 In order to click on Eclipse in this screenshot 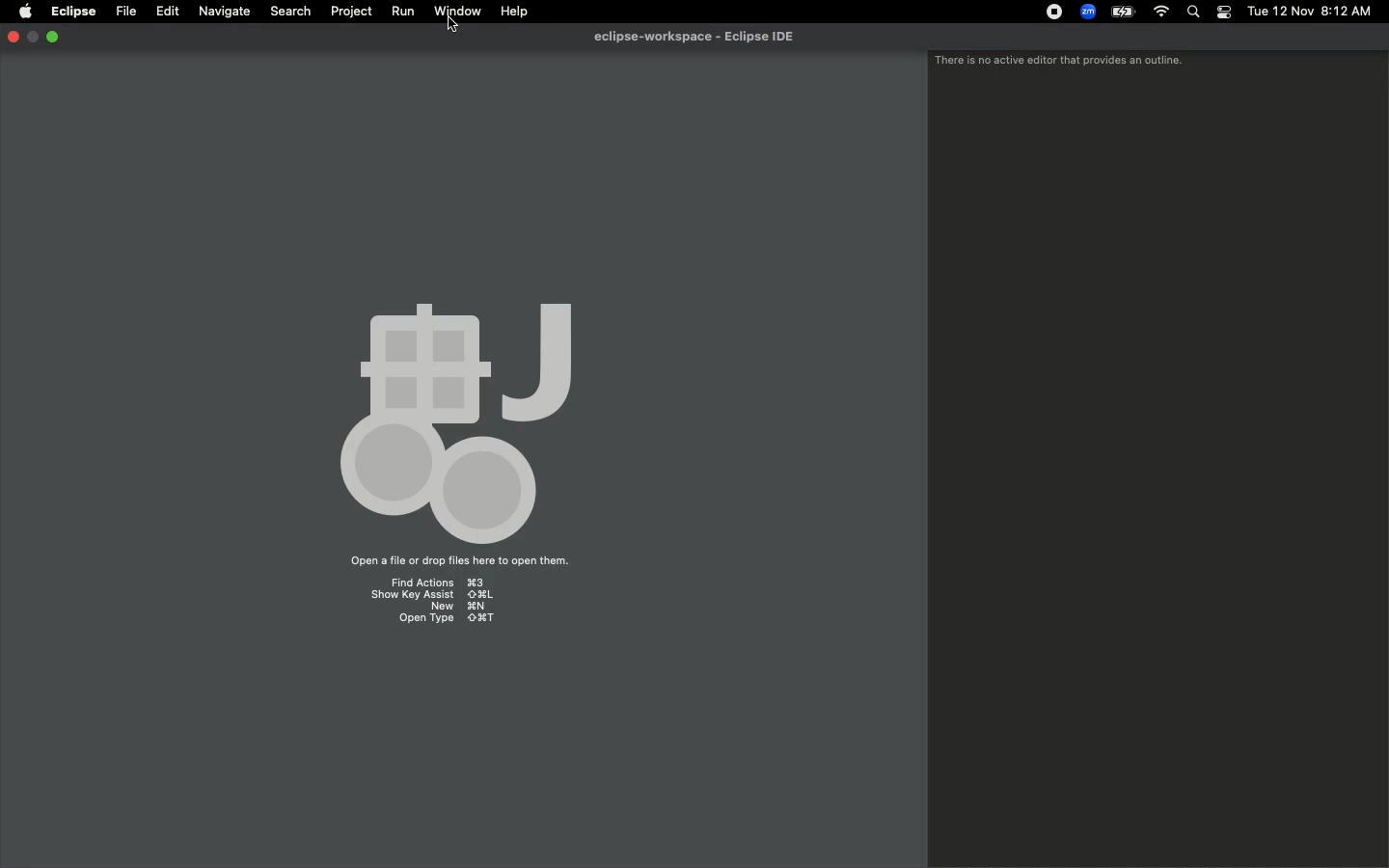, I will do `click(73, 13)`.